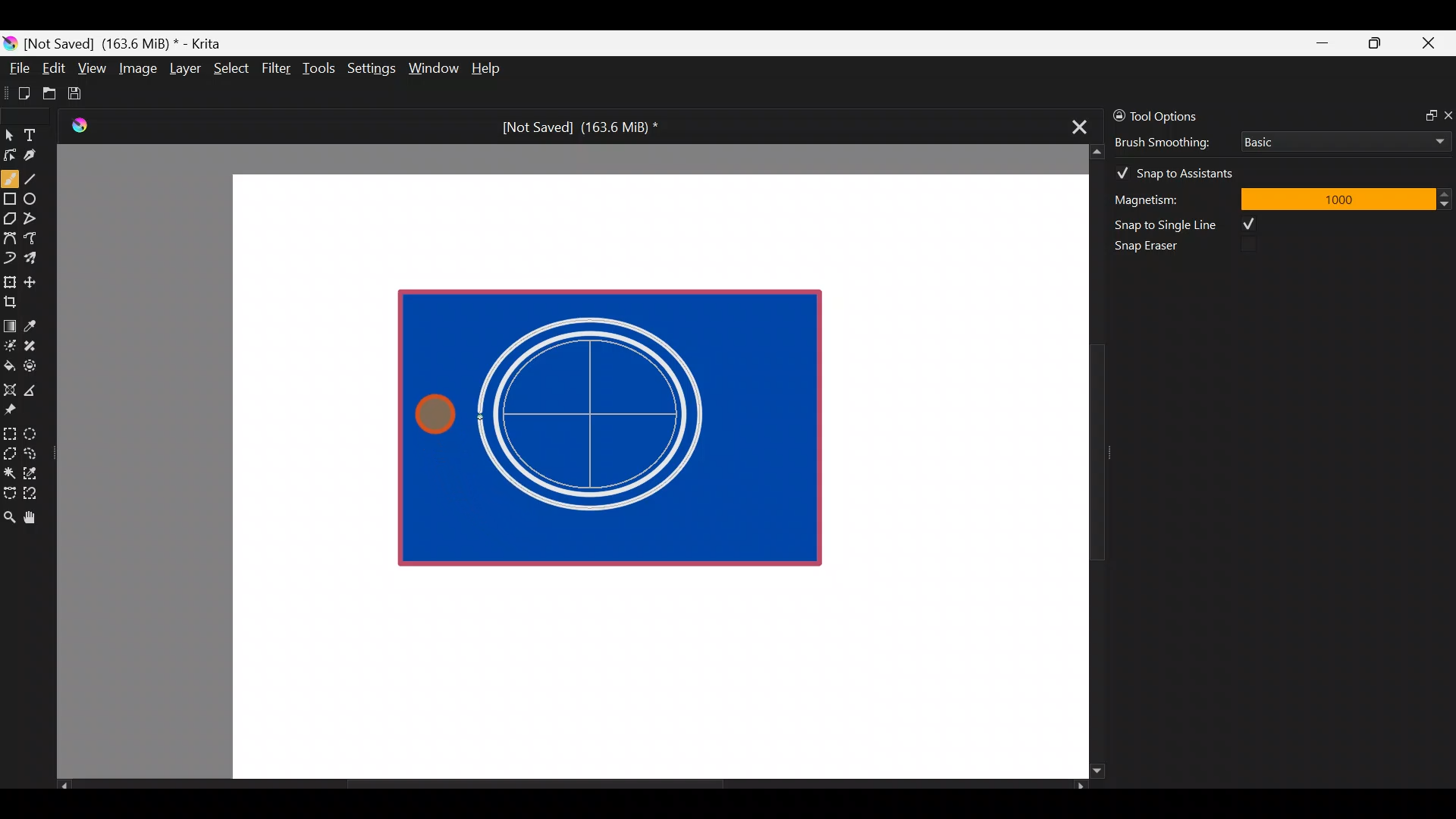 The height and width of the screenshot is (819, 1456). What do you see at coordinates (574, 127) in the screenshot?
I see `[Not Saved] (163.6 MiB) *` at bounding box center [574, 127].